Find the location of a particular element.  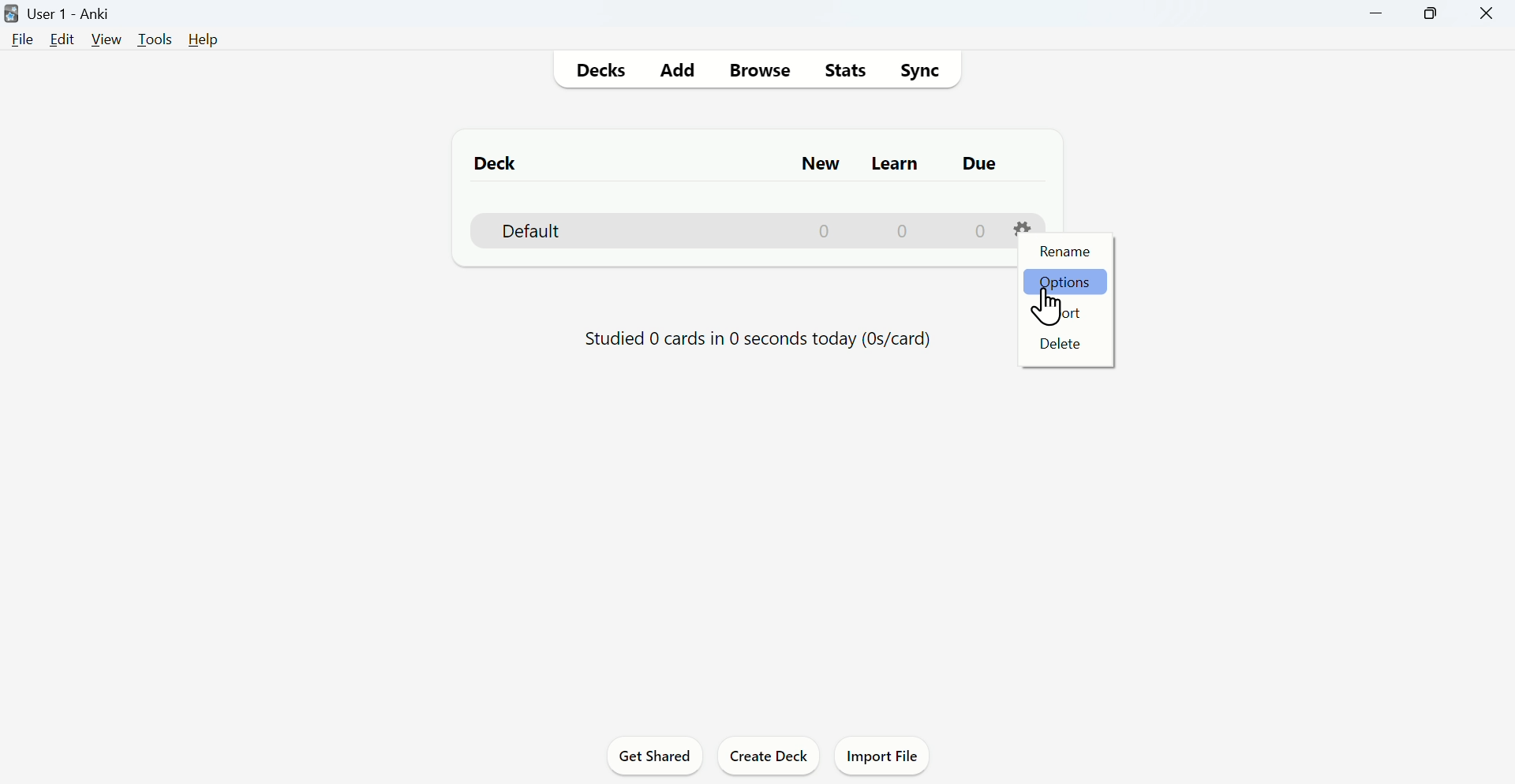

Add is located at coordinates (678, 71).